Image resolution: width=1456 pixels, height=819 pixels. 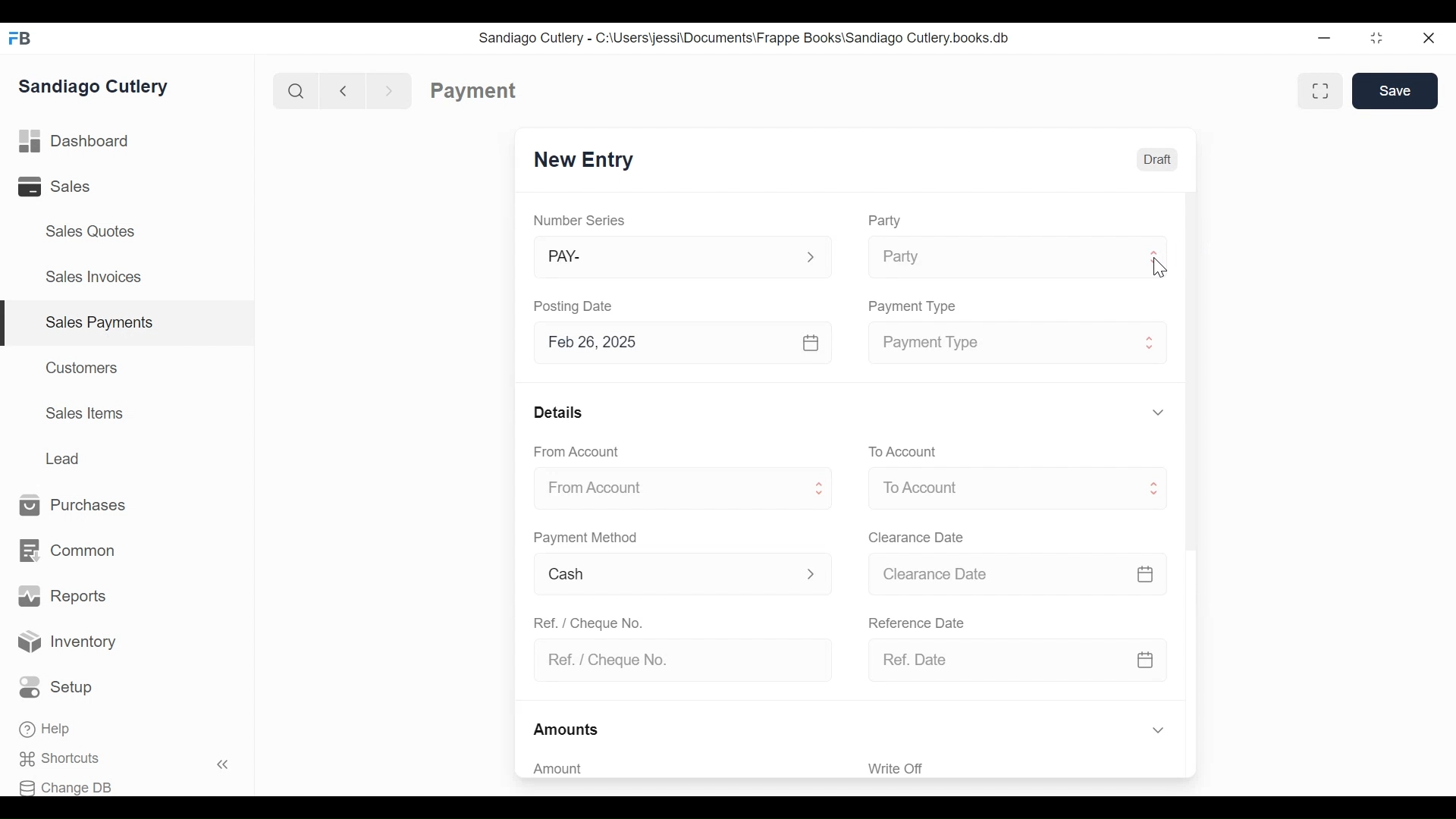 I want to click on Expand, so click(x=811, y=573).